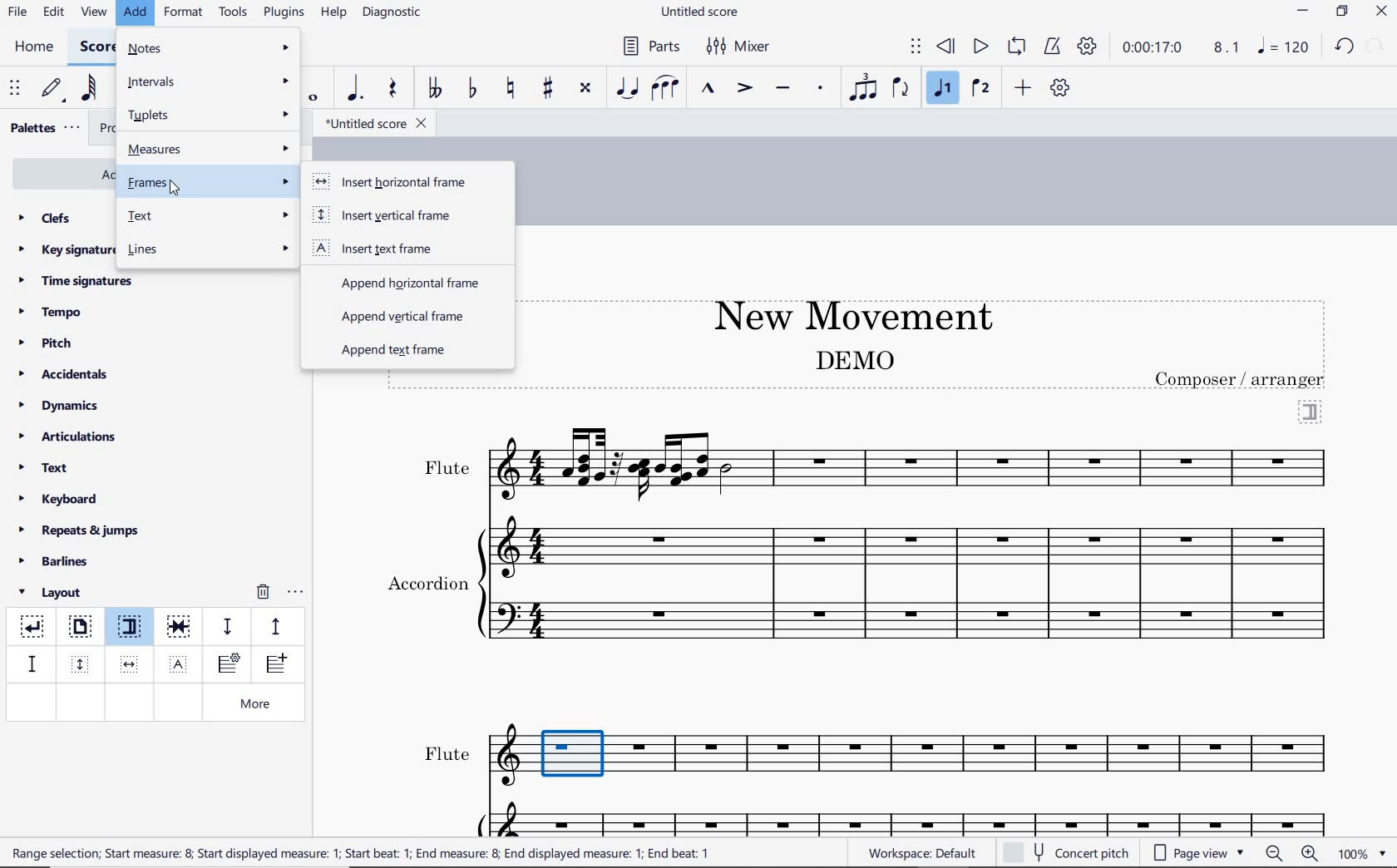  Describe the element at coordinates (739, 47) in the screenshot. I see `Mixer` at that location.